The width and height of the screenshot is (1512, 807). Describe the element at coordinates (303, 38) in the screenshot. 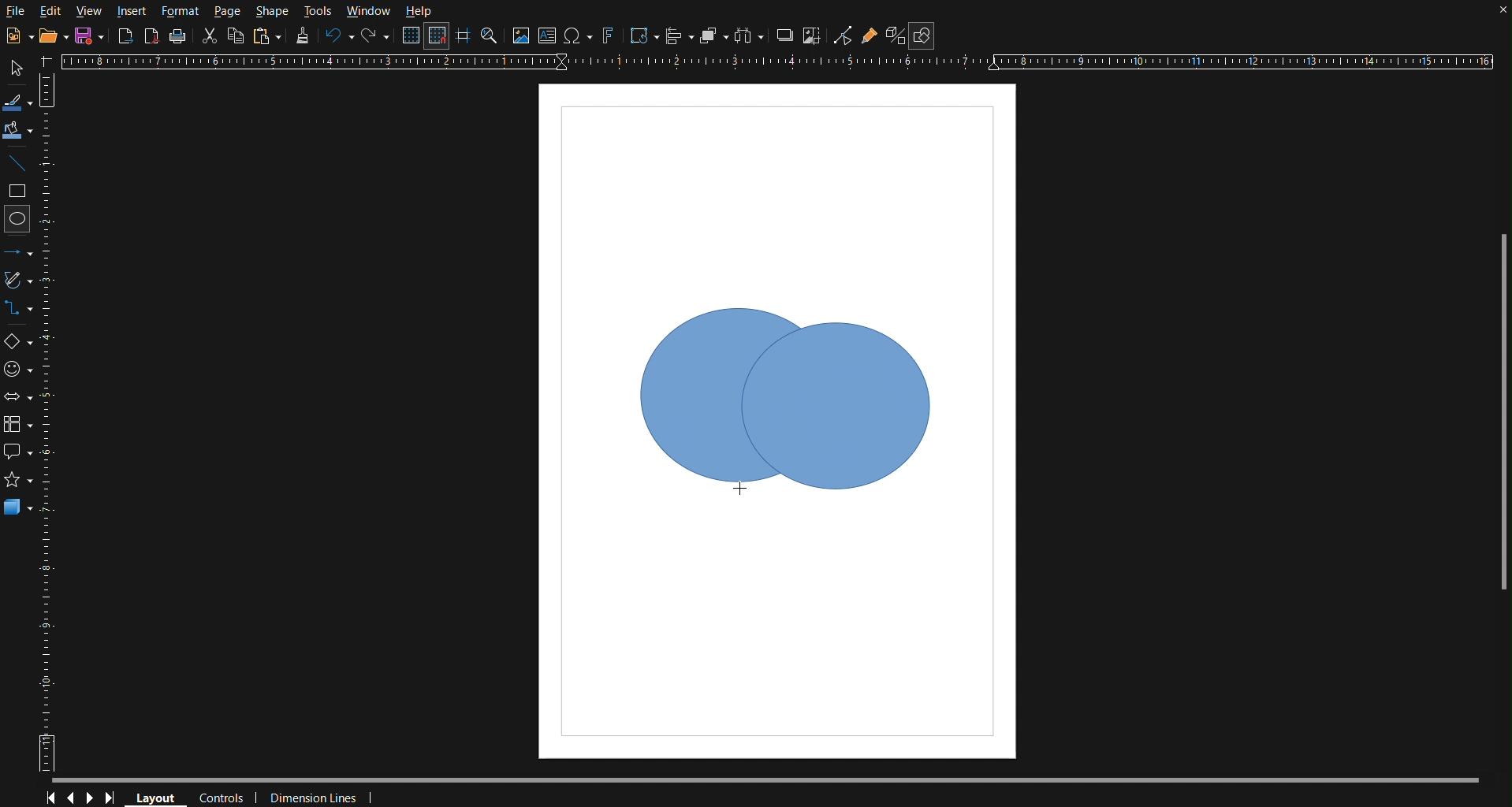

I see `Formatting` at that location.